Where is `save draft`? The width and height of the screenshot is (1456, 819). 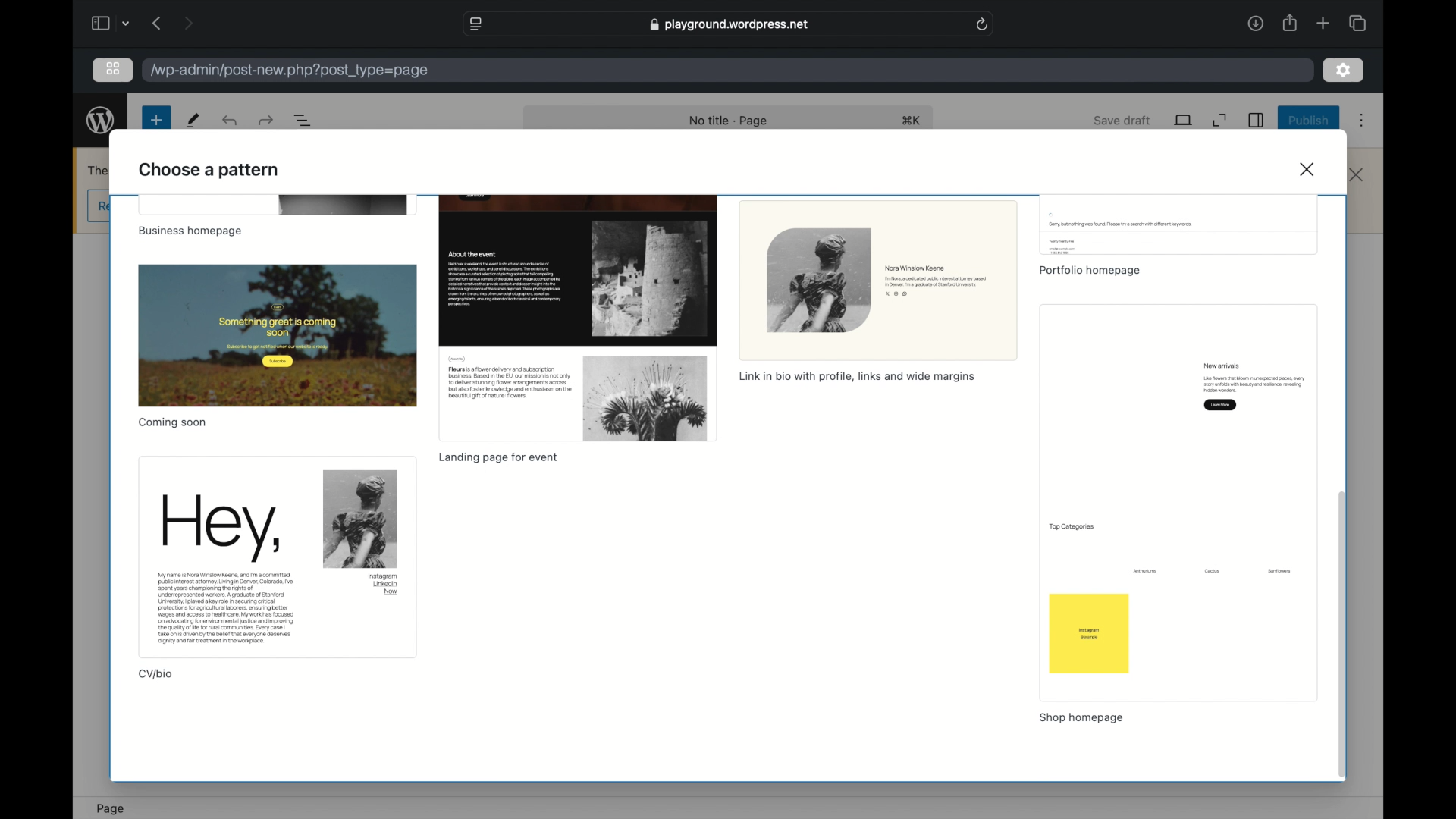 save draft is located at coordinates (1123, 120).